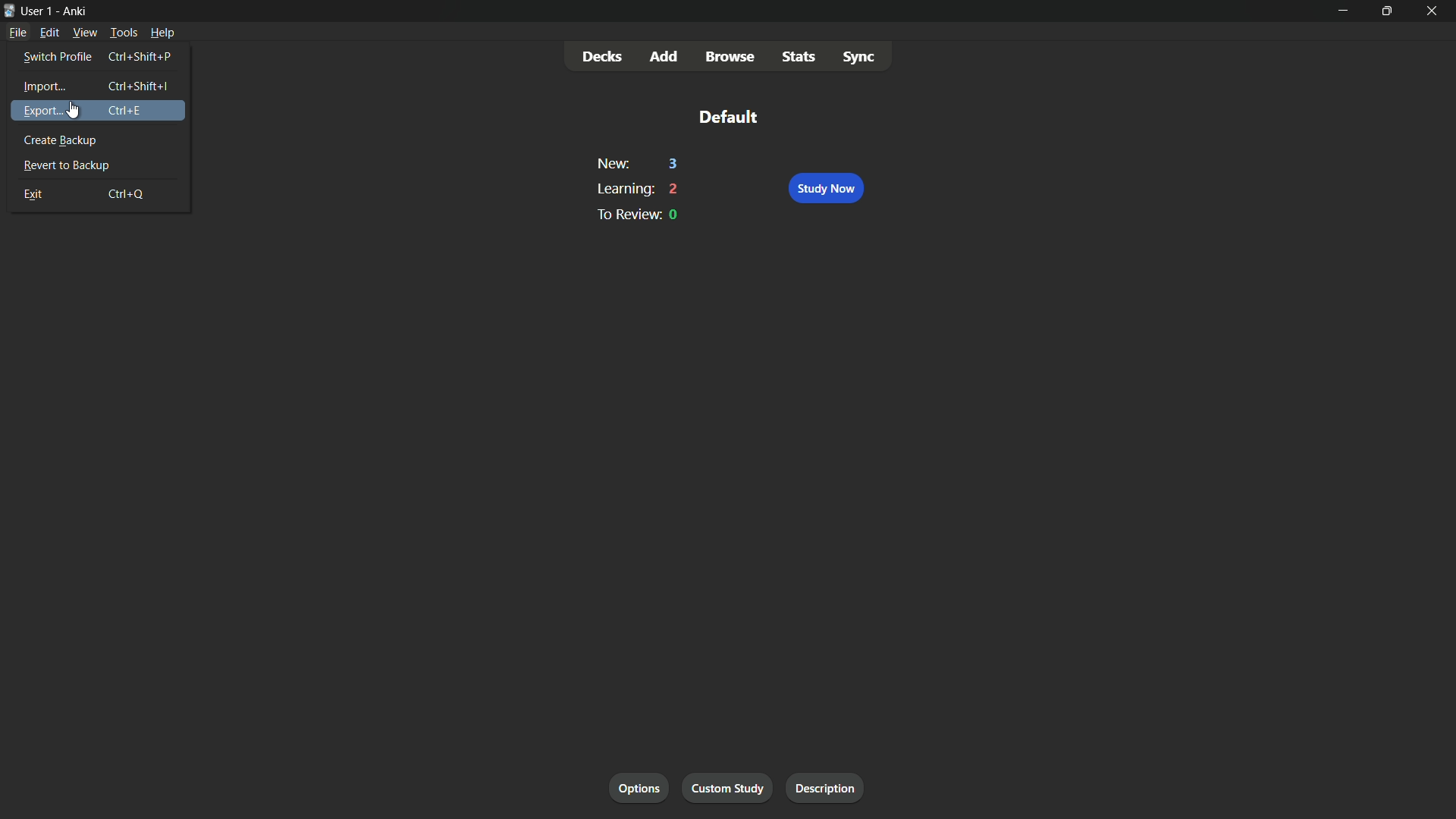 The width and height of the screenshot is (1456, 819). Describe the element at coordinates (1341, 10) in the screenshot. I see `minimize` at that location.